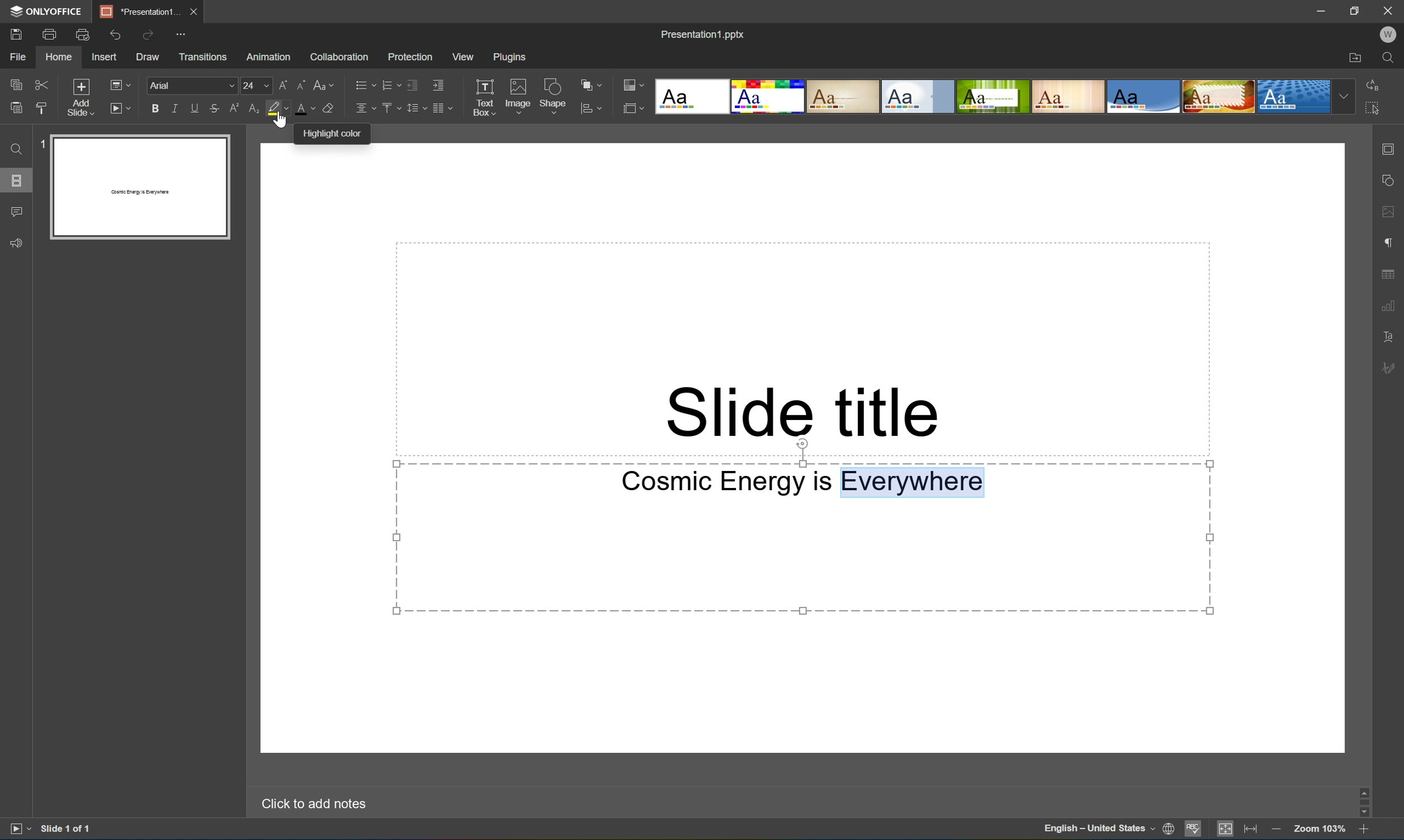 This screenshot has width=1404, height=840. What do you see at coordinates (1391, 33) in the screenshot?
I see `Welcome` at bounding box center [1391, 33].